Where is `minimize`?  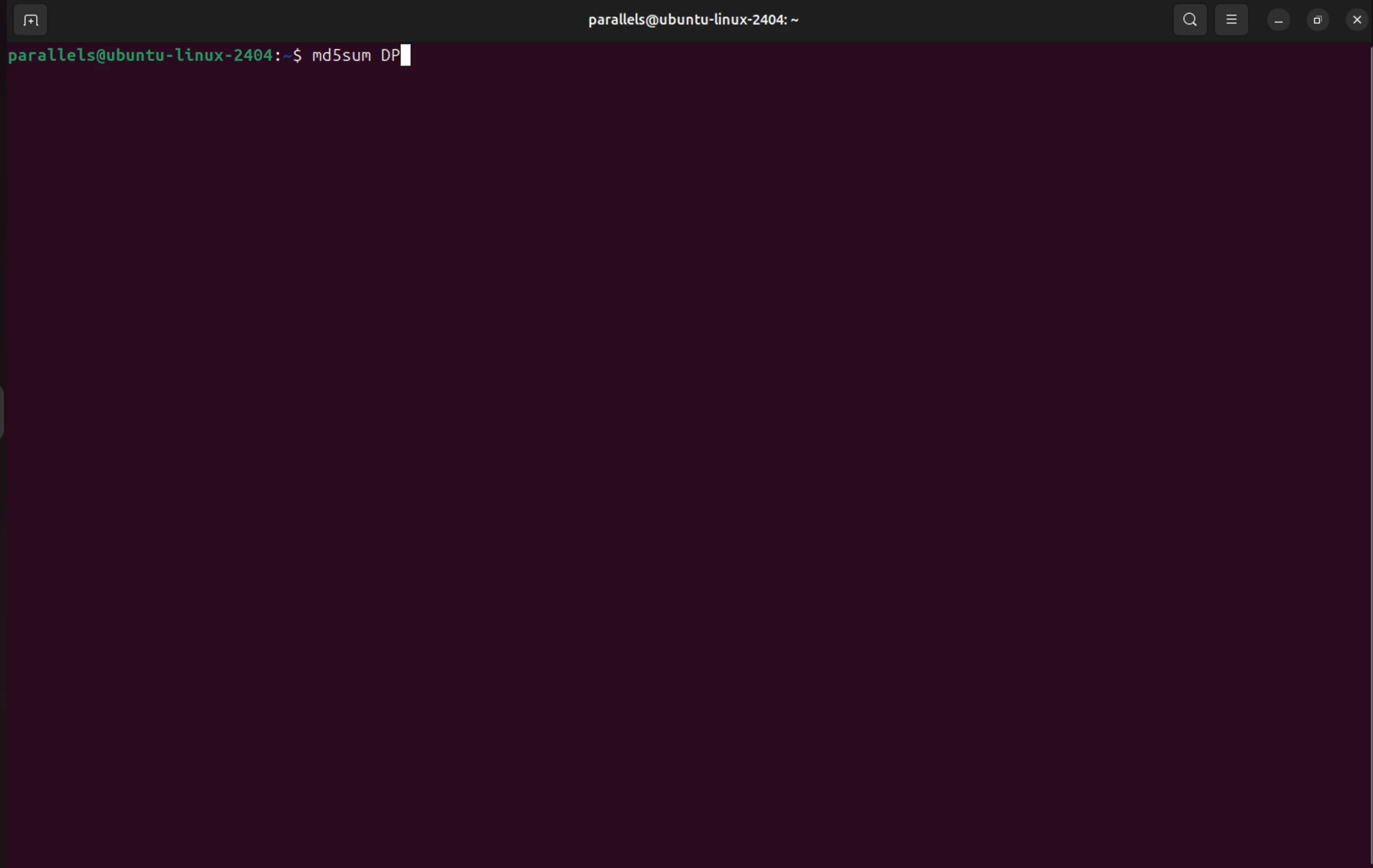 minimize is located at coordinates (1279, 21).